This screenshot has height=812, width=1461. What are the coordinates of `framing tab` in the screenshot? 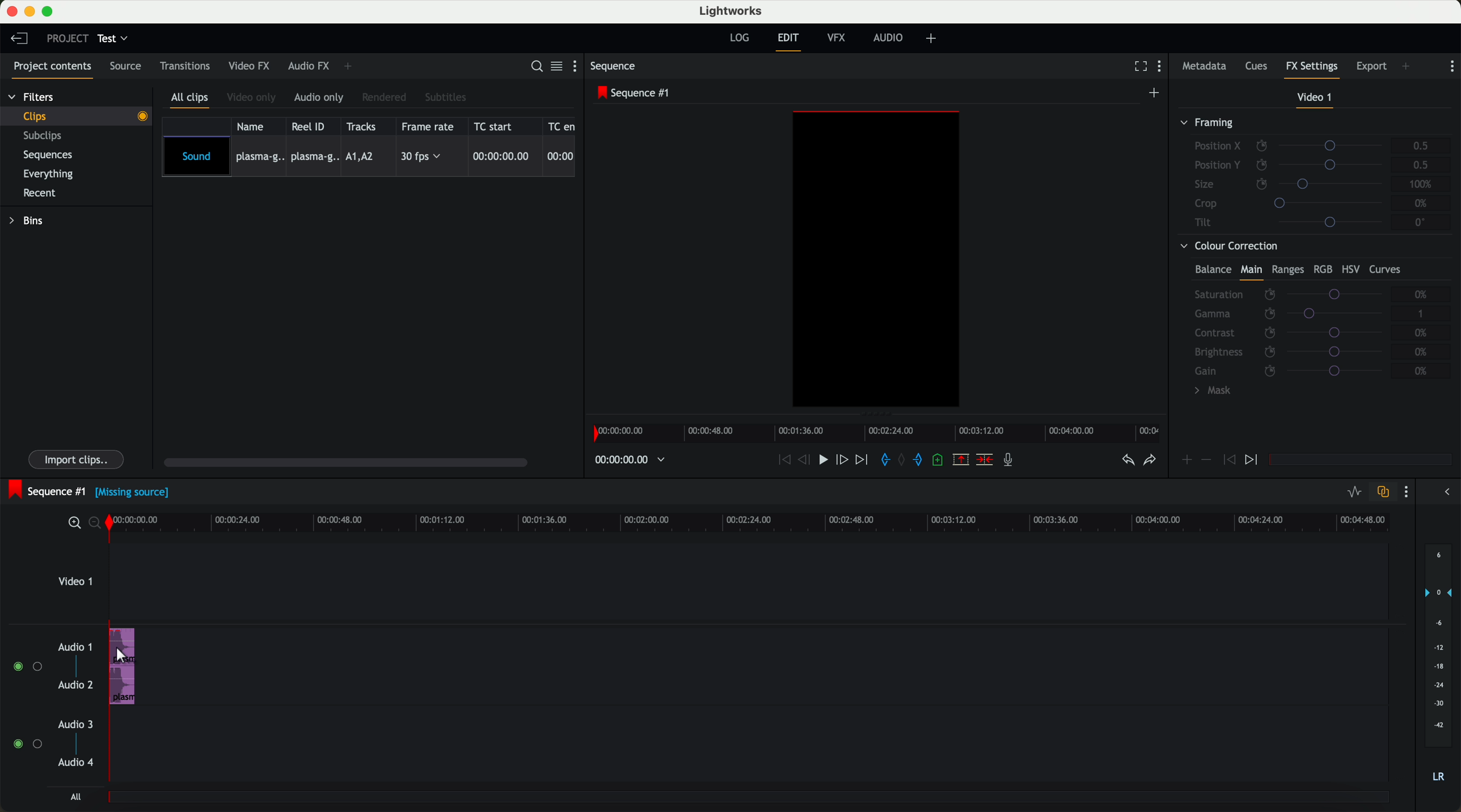 It's located at (1314, 175).